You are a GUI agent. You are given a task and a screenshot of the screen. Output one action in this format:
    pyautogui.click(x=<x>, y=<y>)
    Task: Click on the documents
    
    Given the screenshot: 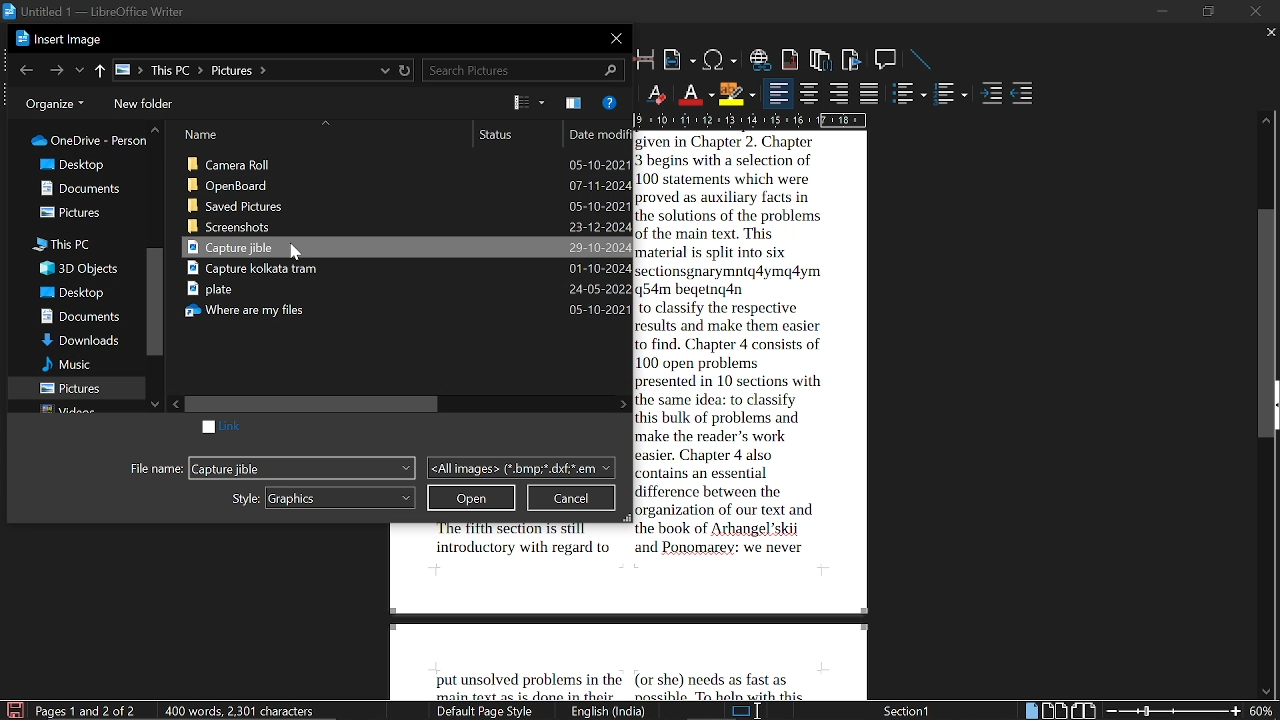 What is the action you would take?
    pyautogui.click(x=79, y=191)
    